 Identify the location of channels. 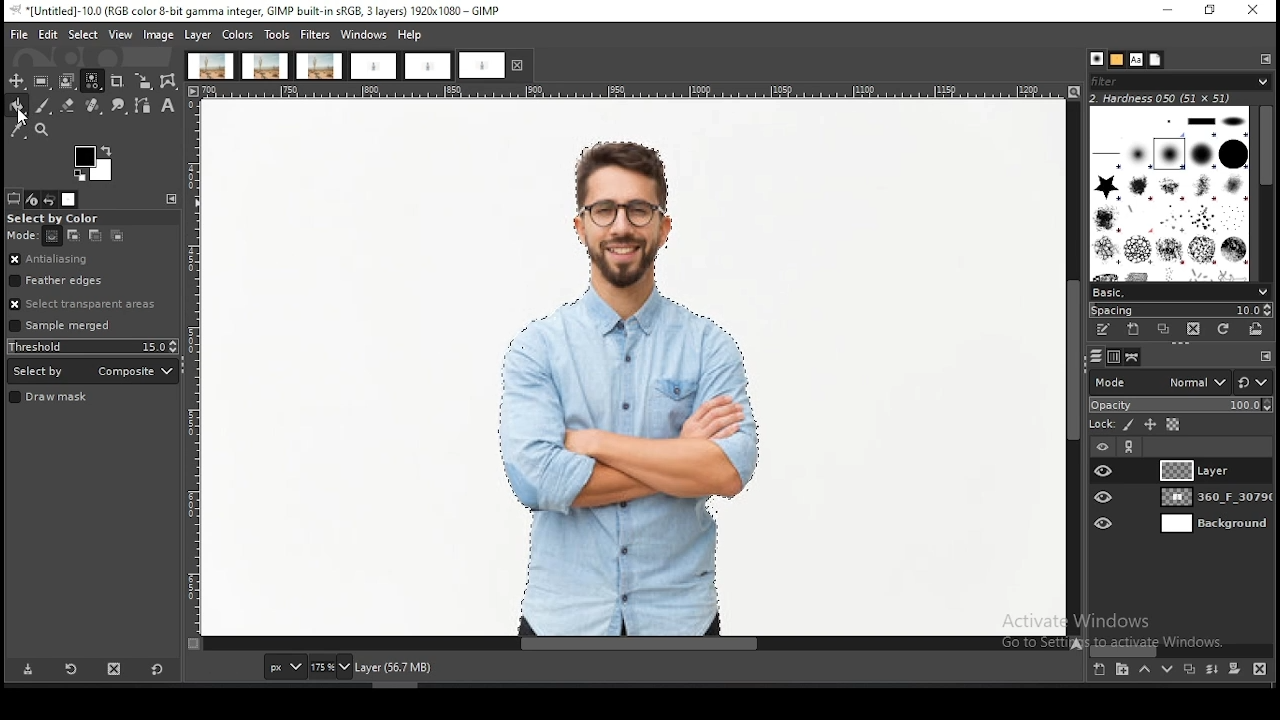
(1116, 357).